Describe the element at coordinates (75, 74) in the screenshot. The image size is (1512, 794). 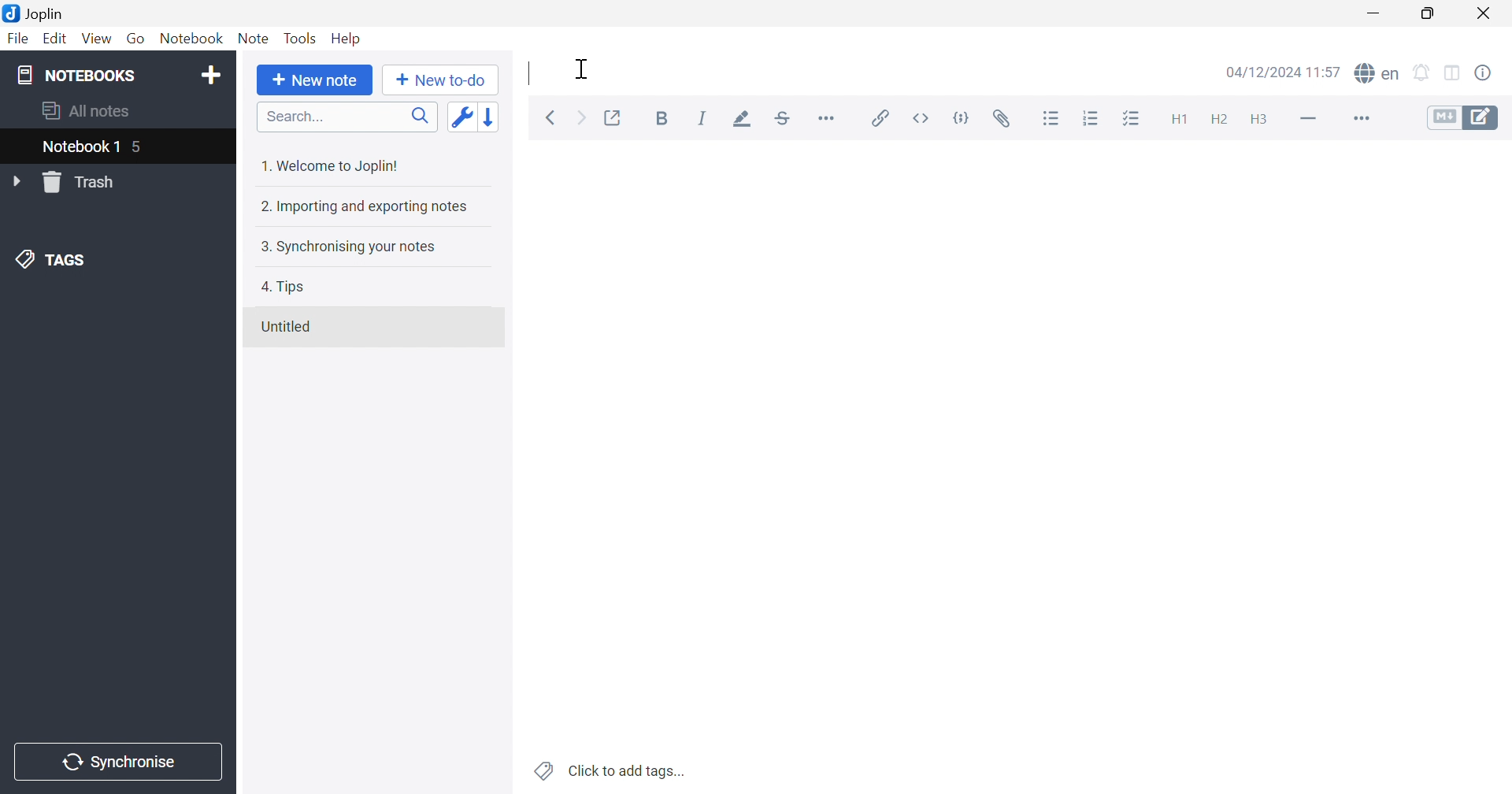
I see `NOTEBOOKS` at that location.